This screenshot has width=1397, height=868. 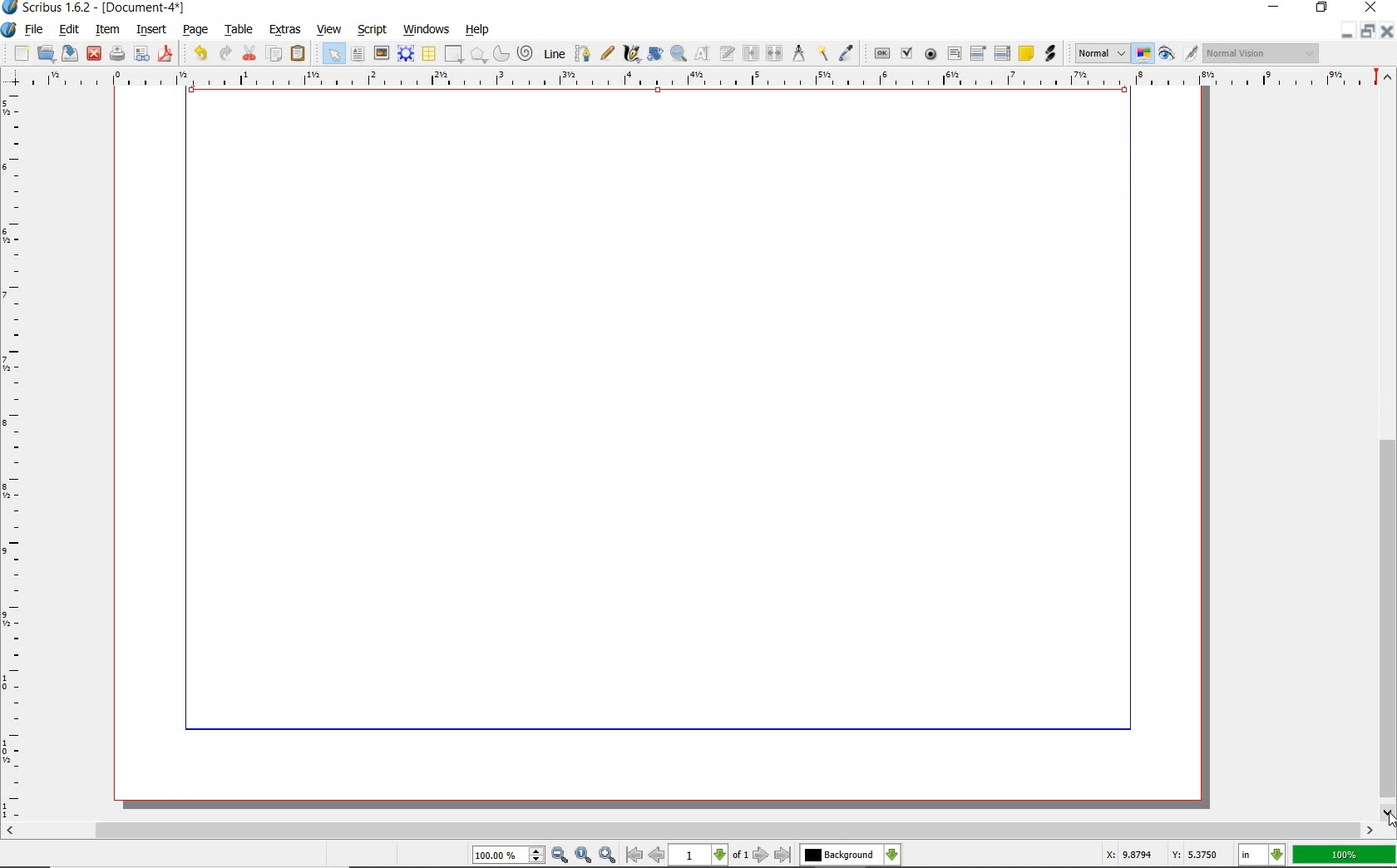 What do you see at coordinates (977, 52) in the screenshot?
I see `pdf combo box` at bounding box center [977, 52].